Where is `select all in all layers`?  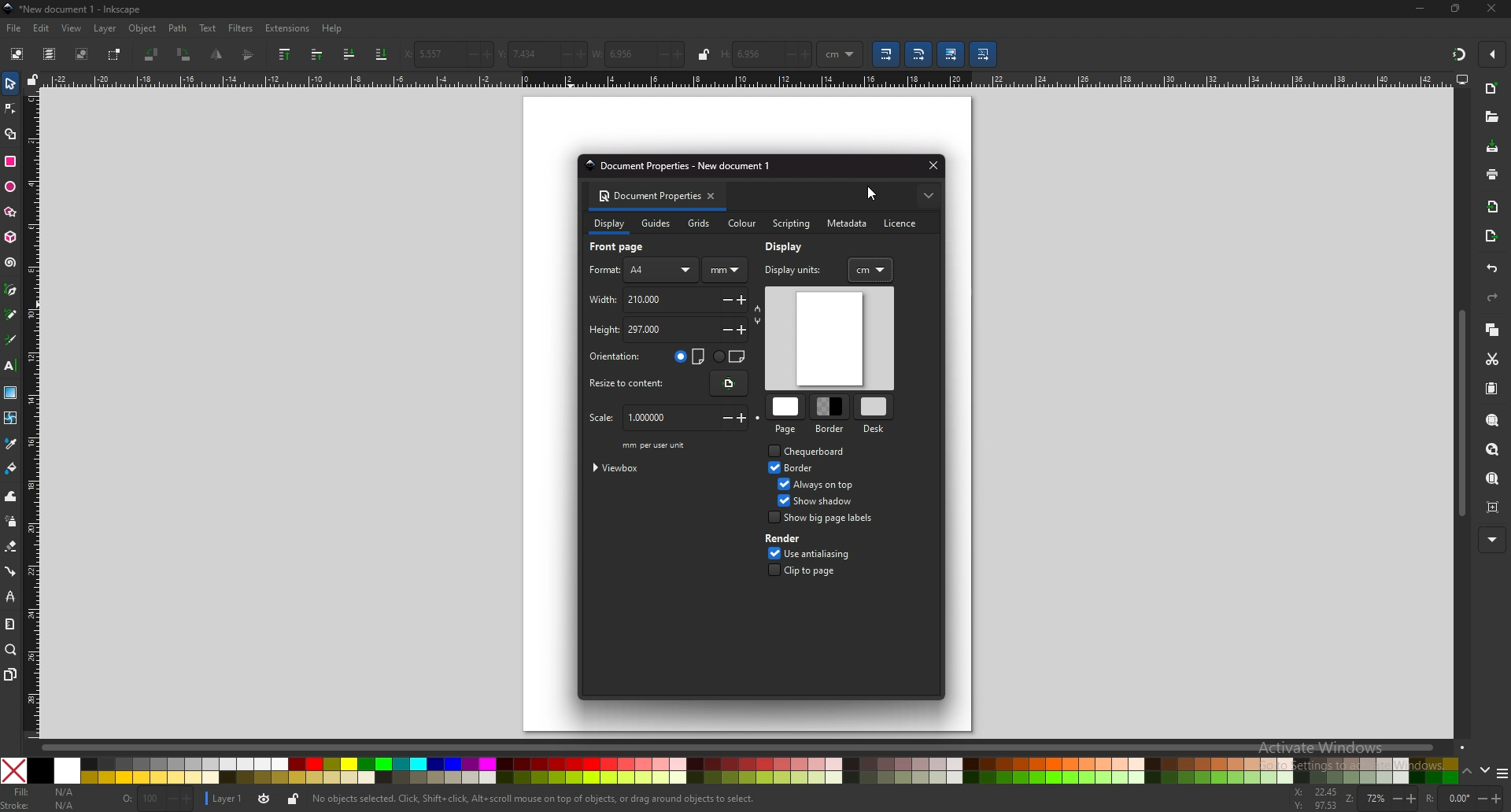
select all in all layers is located at coordinates (49, 54).